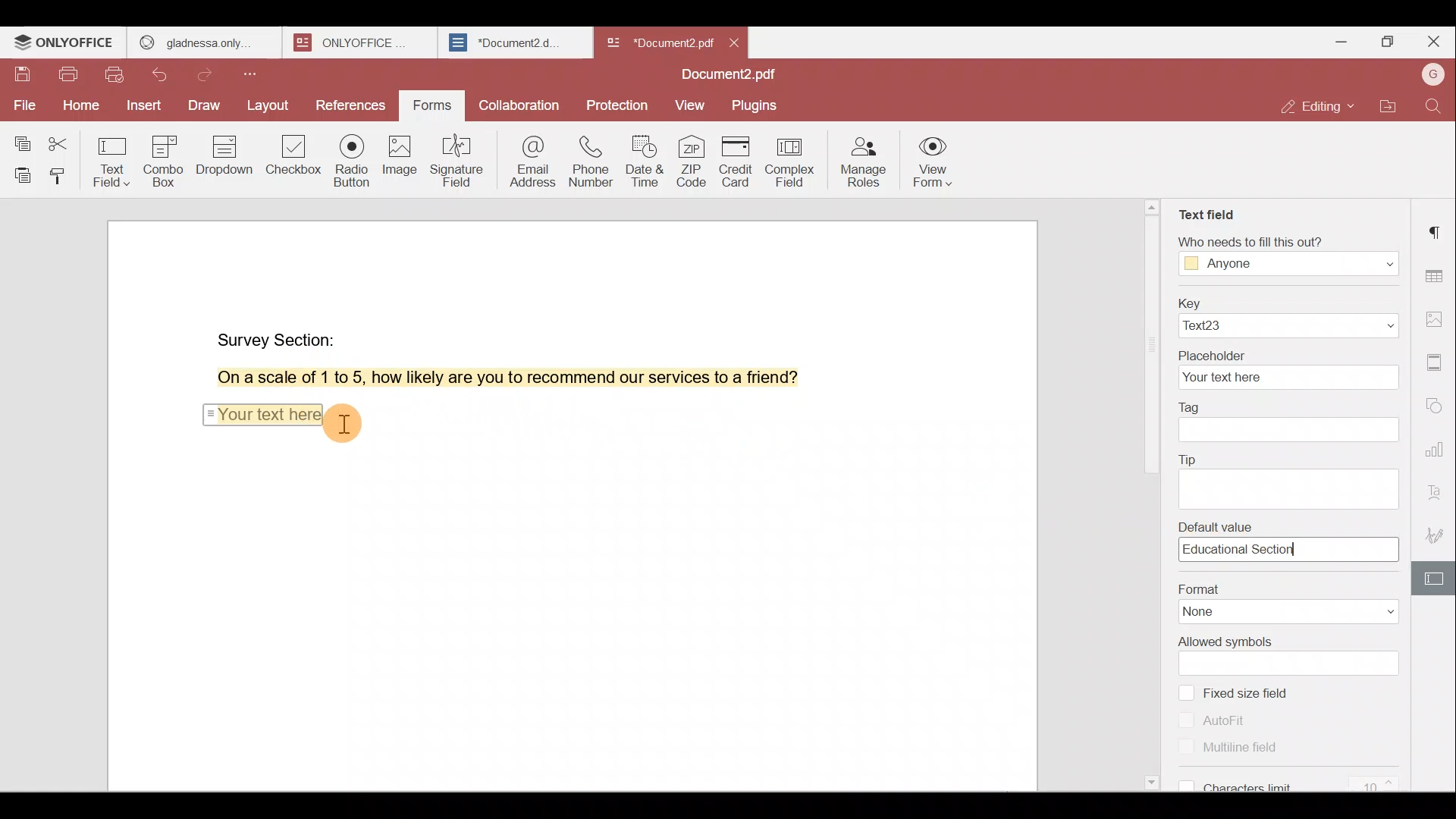  Describe the element at coordinates (1432, 76) in the screenshot. I see `Account name` at that location.